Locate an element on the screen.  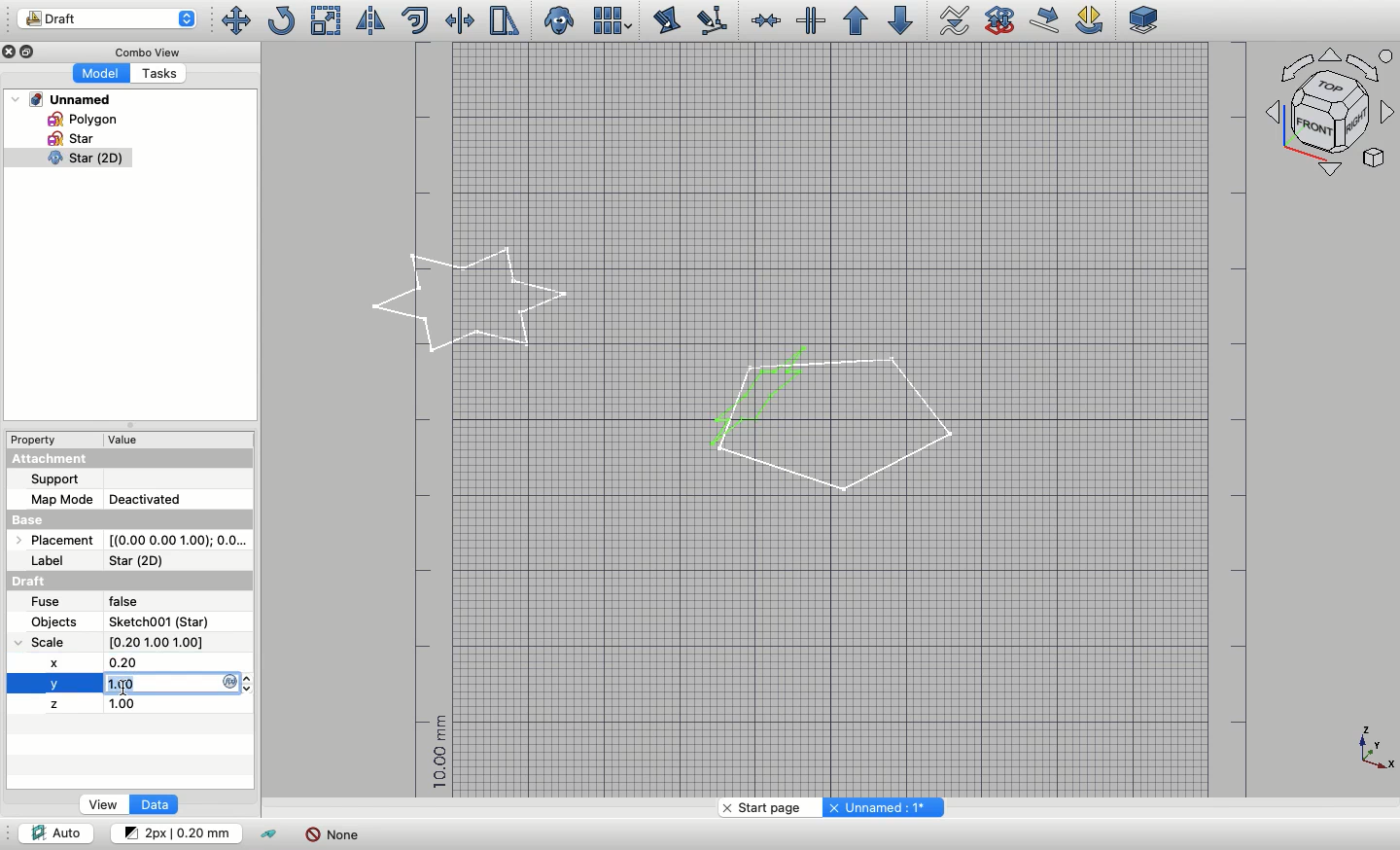
Downgrade is located at coordinates (897, 20).